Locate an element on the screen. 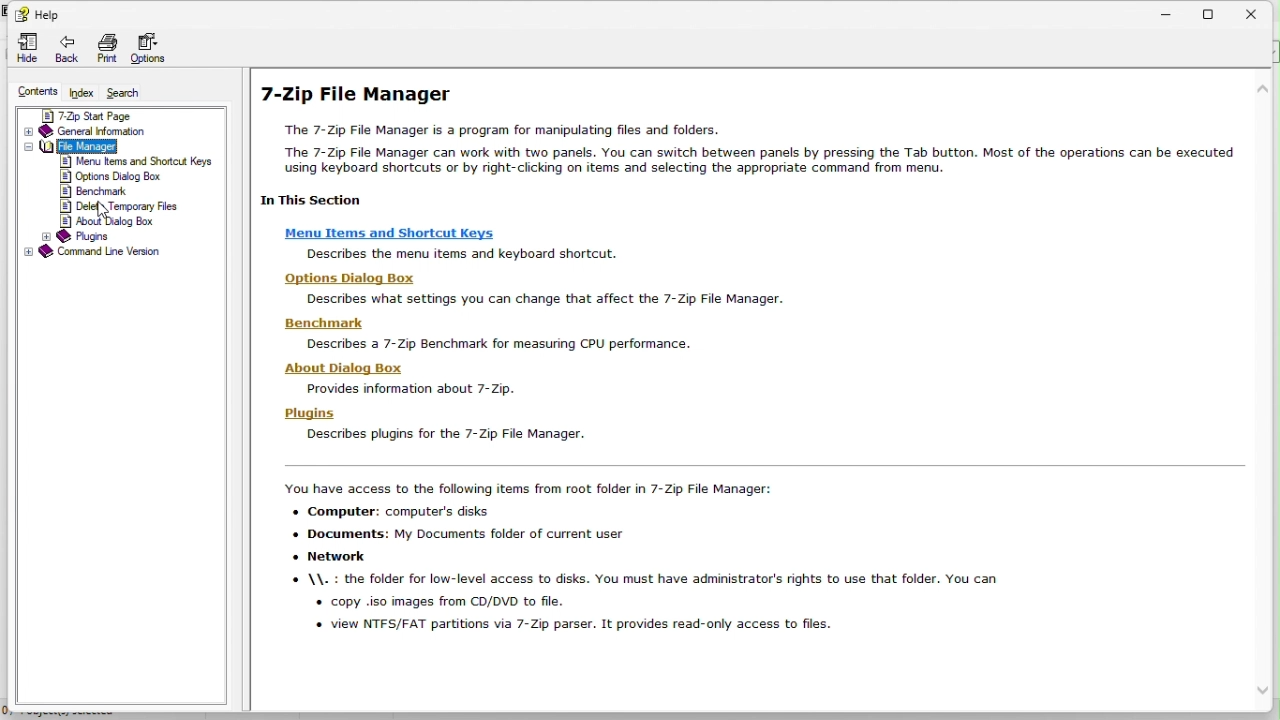 Image resolution: width=1280 pixels, height=720 pixels. Minimize is located at coordinates (1172, 10).